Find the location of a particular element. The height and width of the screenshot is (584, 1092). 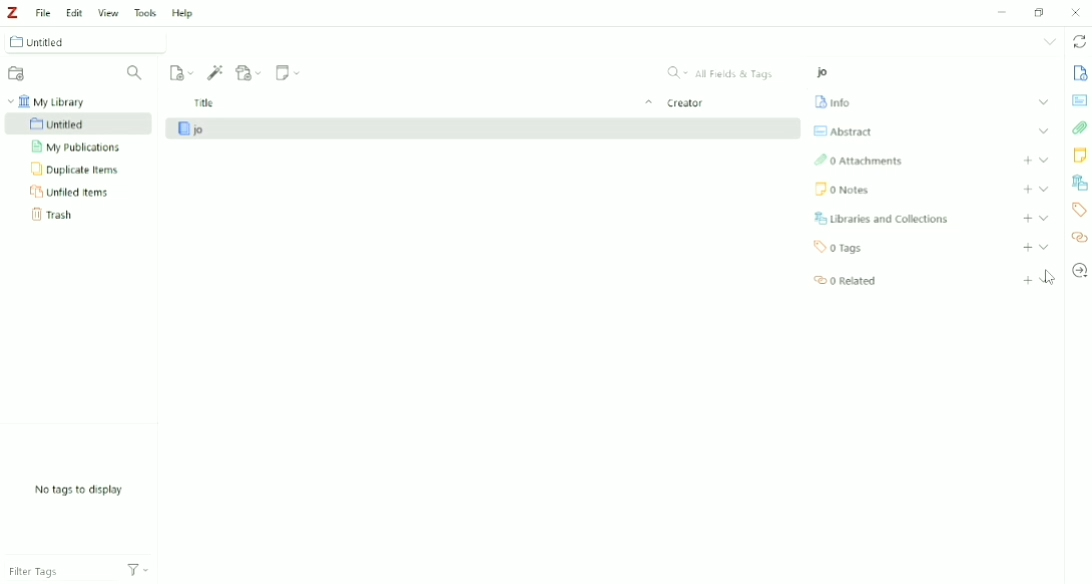

Untitled Collection is located at coordinates (90, 41).